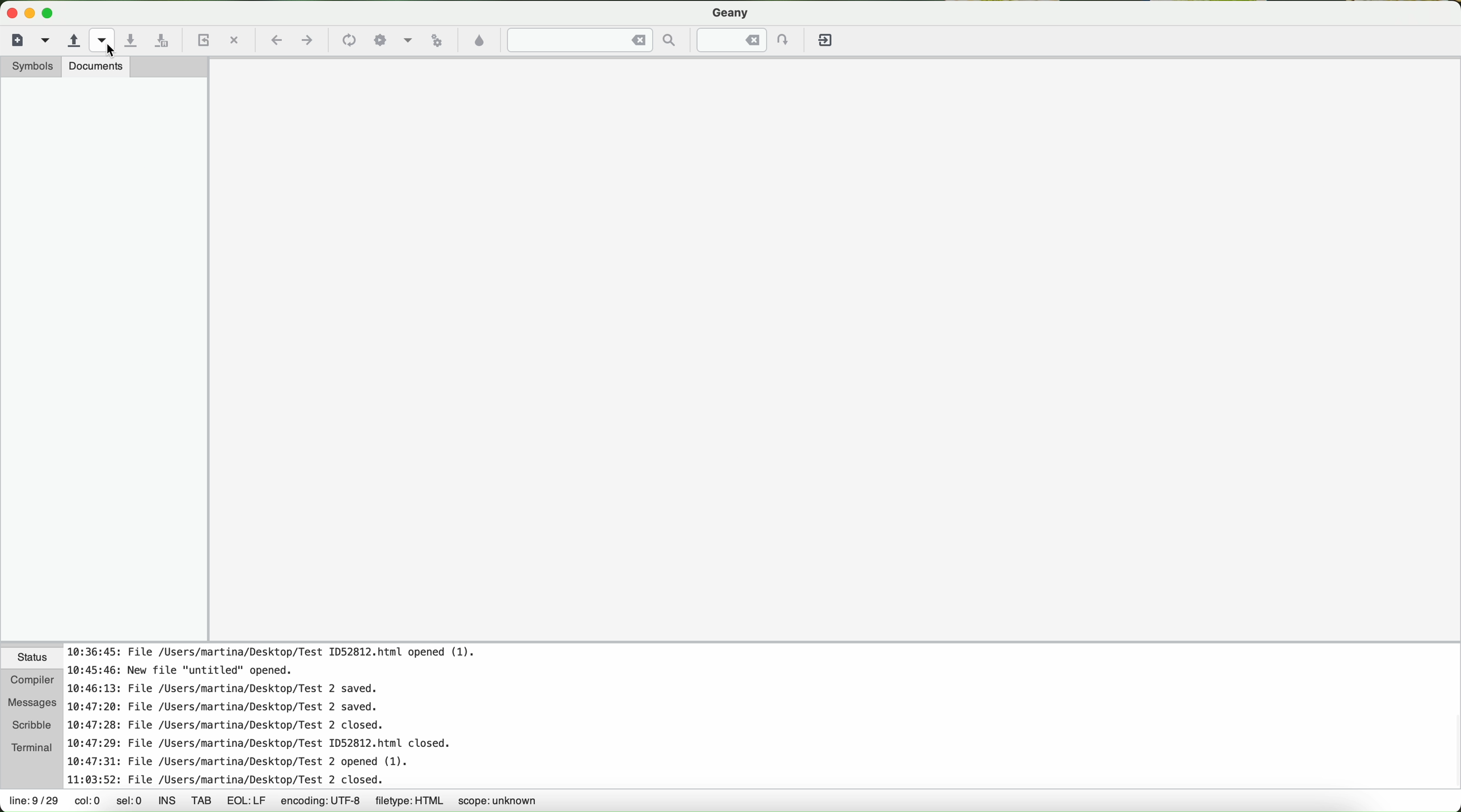 This screenshot has width=1461, height=812. What do you see at coordinates (50, 14) in the screenshot?
I see `maximize` at bounding box center [50, 14].